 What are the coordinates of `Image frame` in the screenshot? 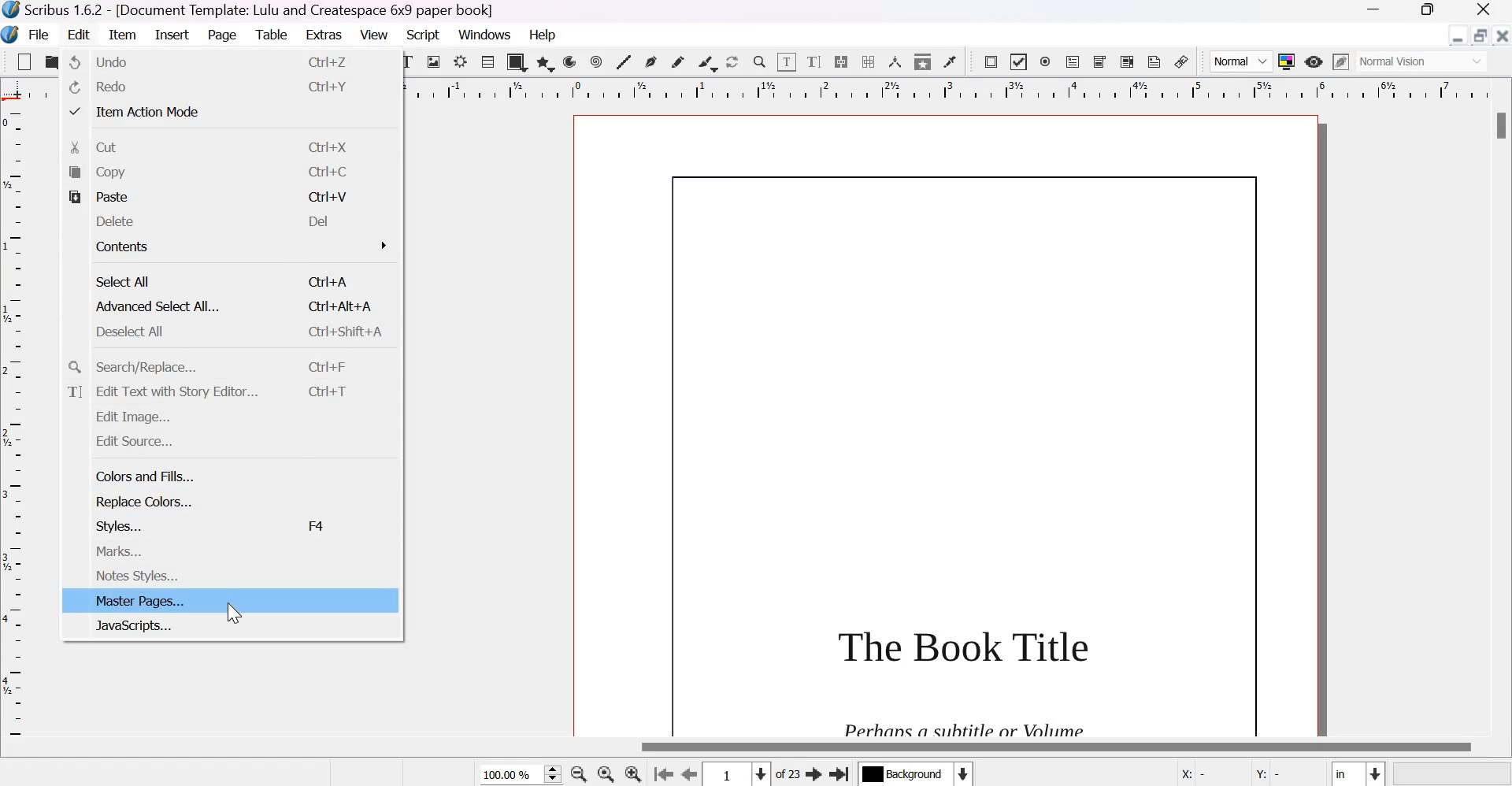 It's located at (434, 63).